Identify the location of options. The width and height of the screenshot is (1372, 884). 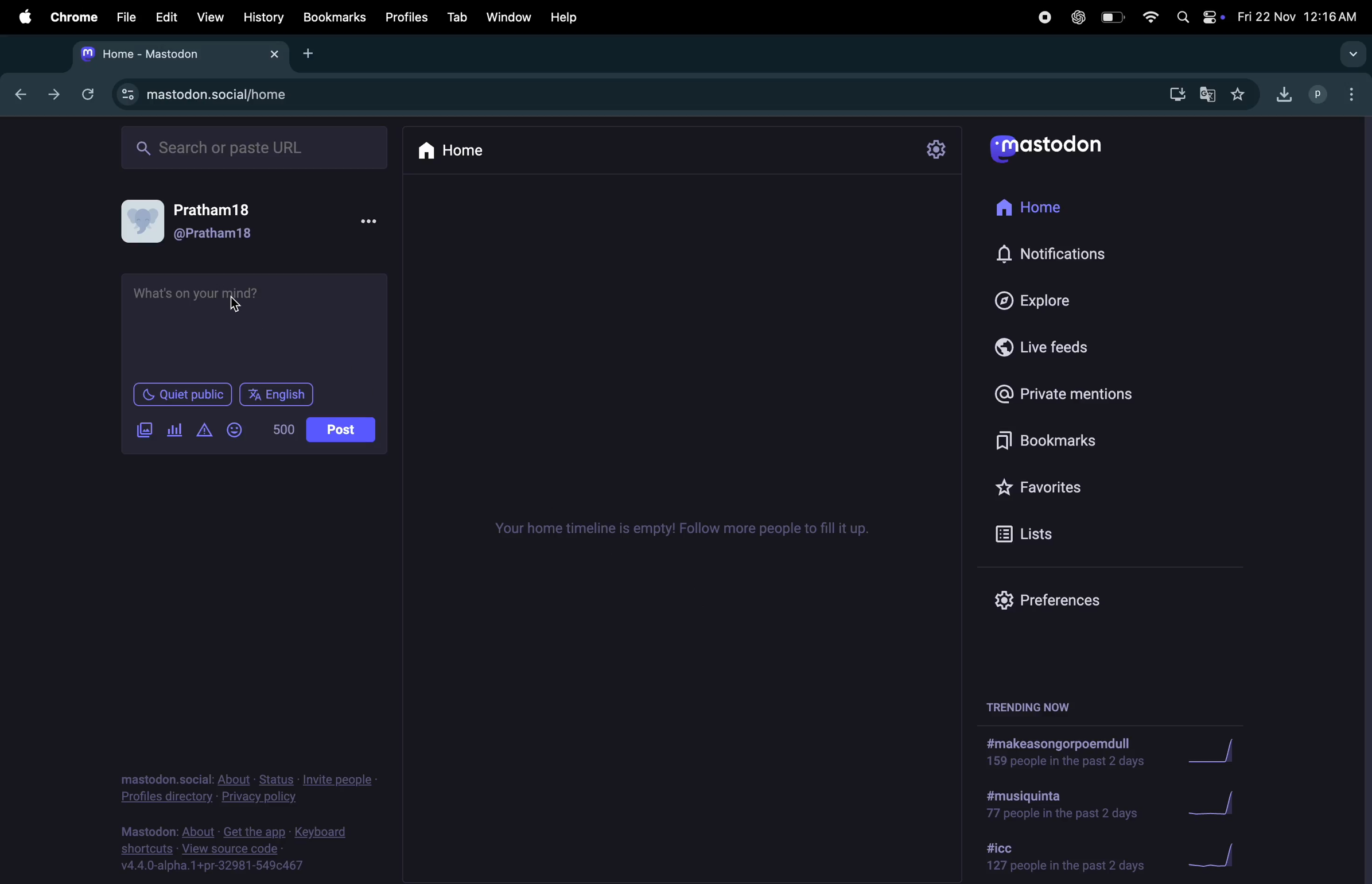
(1349, 94).